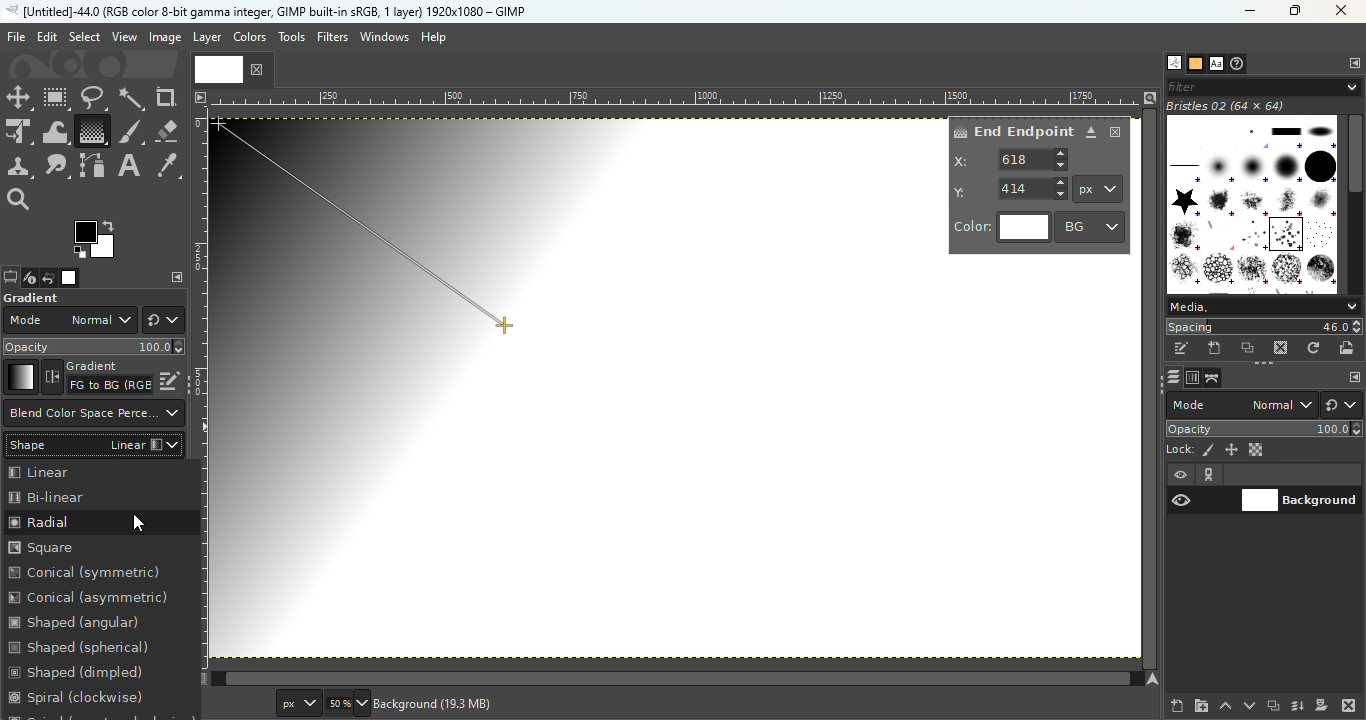  Describe the element at coordinates (1012, 159) in the screenshot. I see `X axis measurment` at that location.